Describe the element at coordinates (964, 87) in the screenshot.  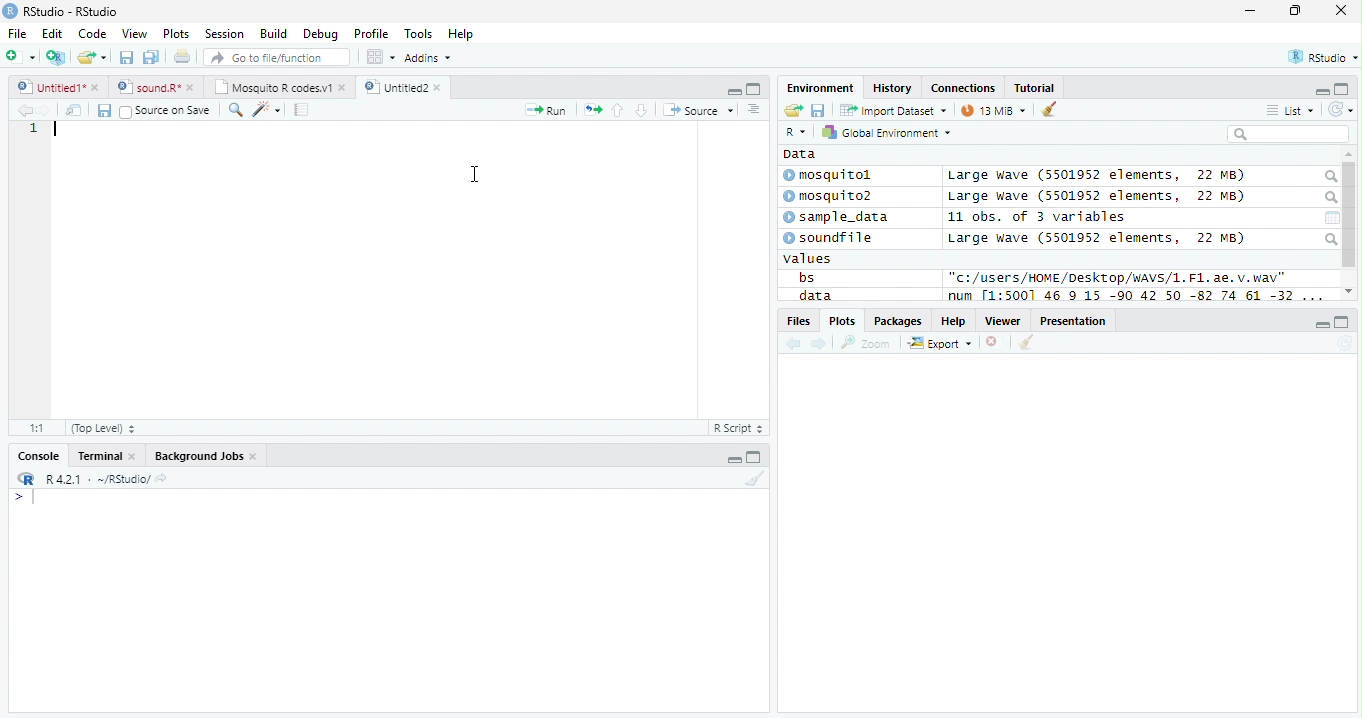
I see `Connections` at that location.